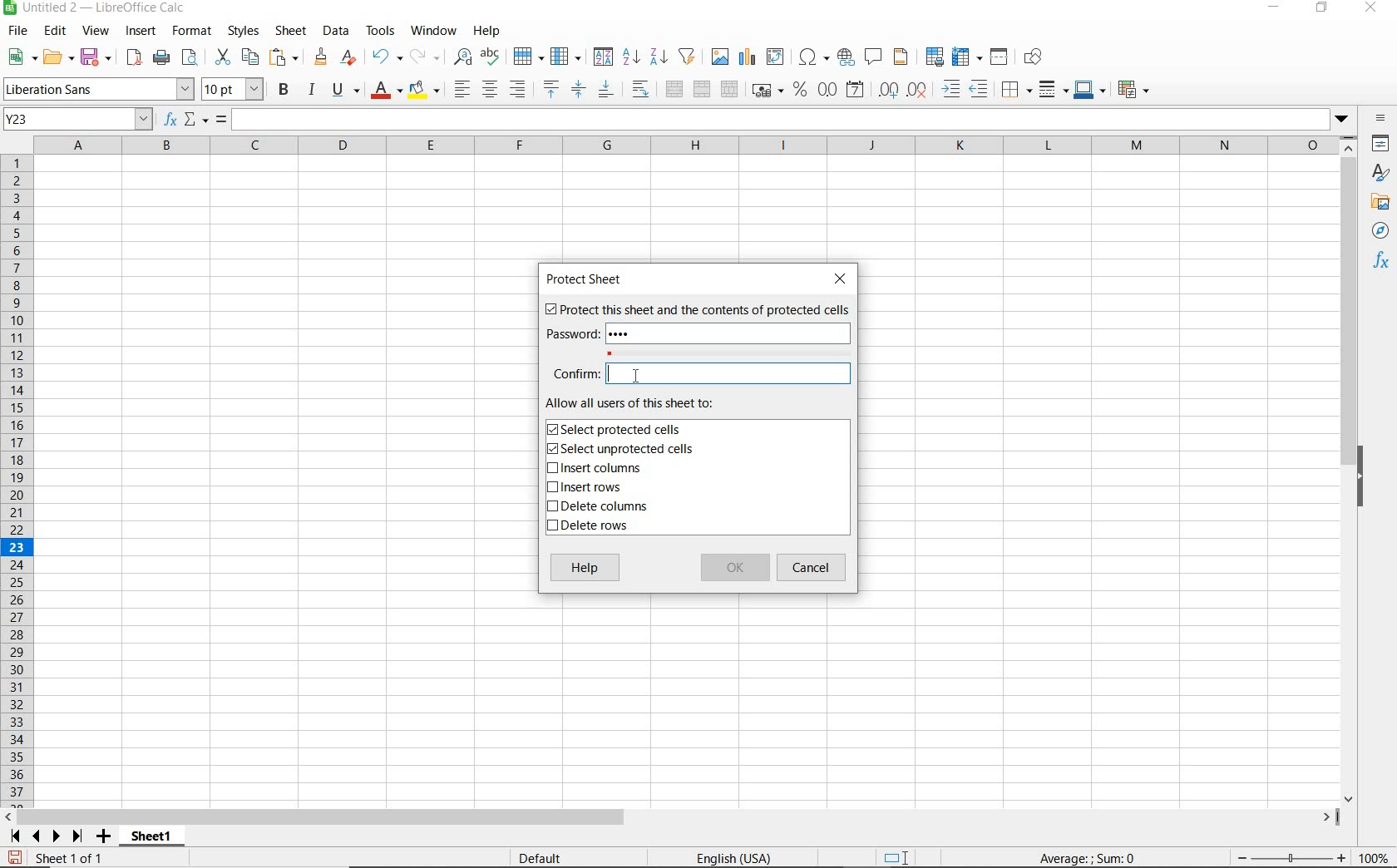 Image resolution: width=1397 pixels, height=868 pixels. What do you see at coordinates (814, 568) in the screenshot?
I see `CANCEL` at bounding box center [814, 568].